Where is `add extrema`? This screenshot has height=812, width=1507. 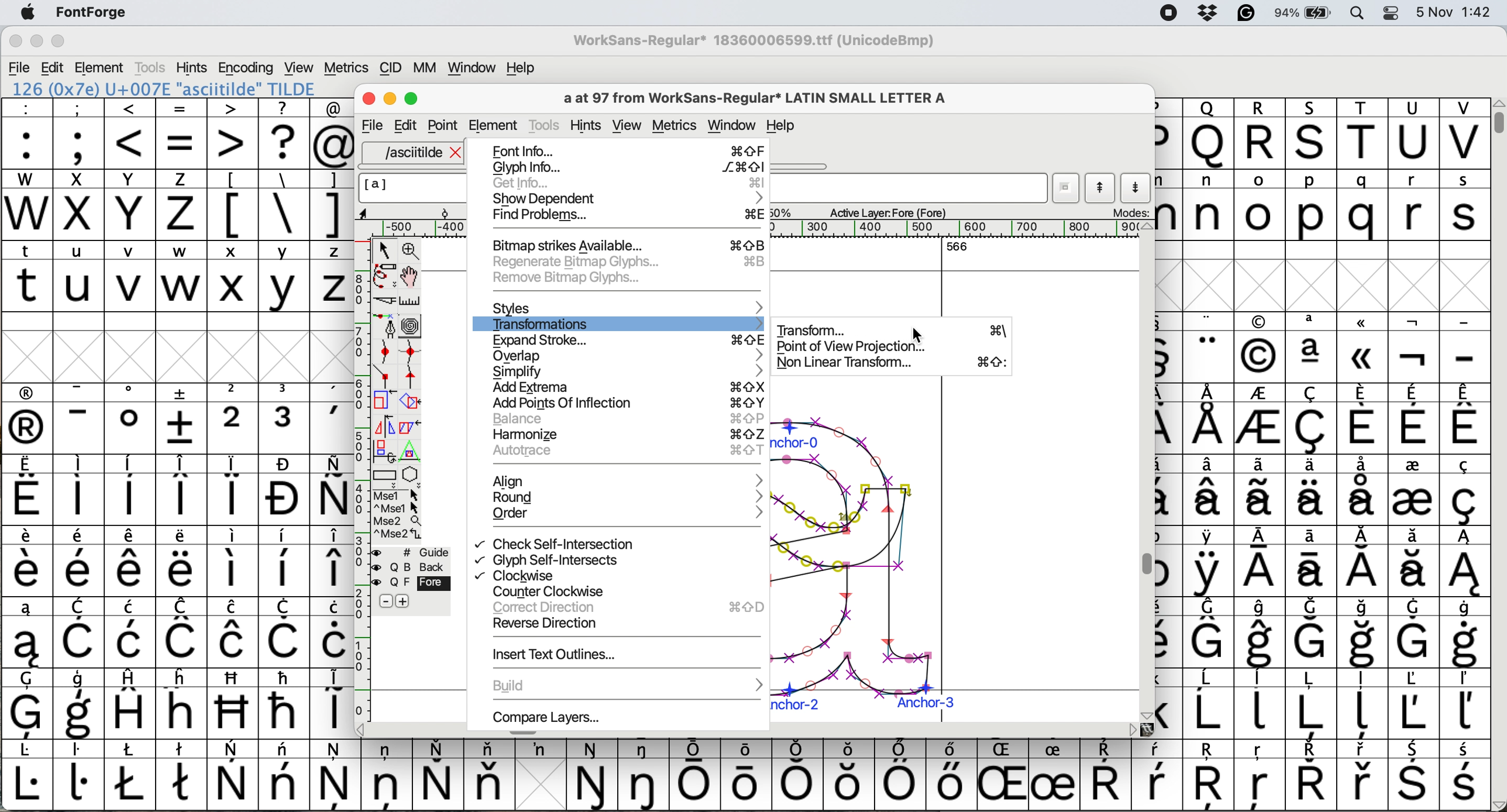 add extrema is located at coordinates (625, 387).